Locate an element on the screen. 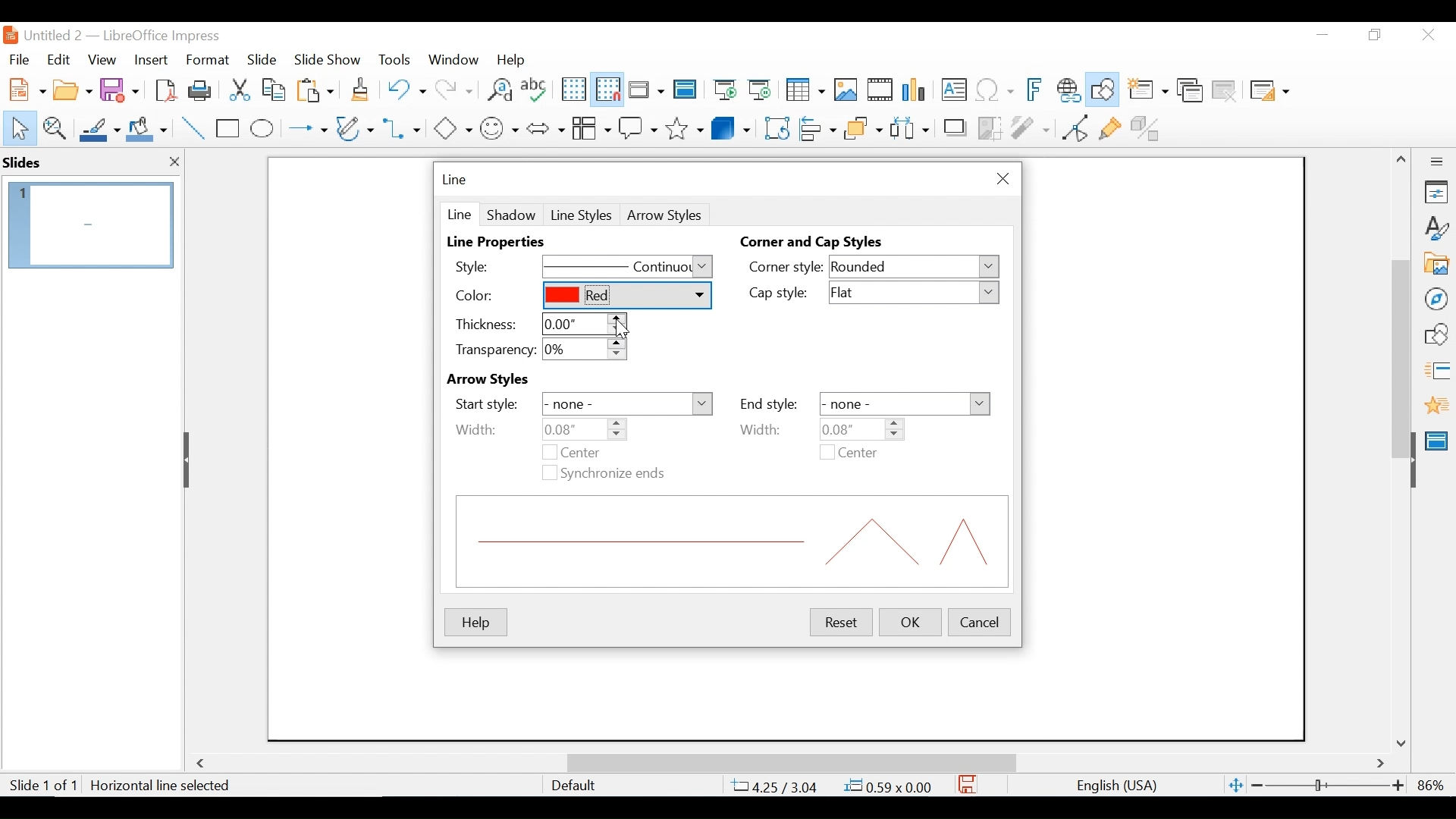 The height and width of the screenshot is (819, 1456). Symbol shapes is located at coordinates (500, 127).